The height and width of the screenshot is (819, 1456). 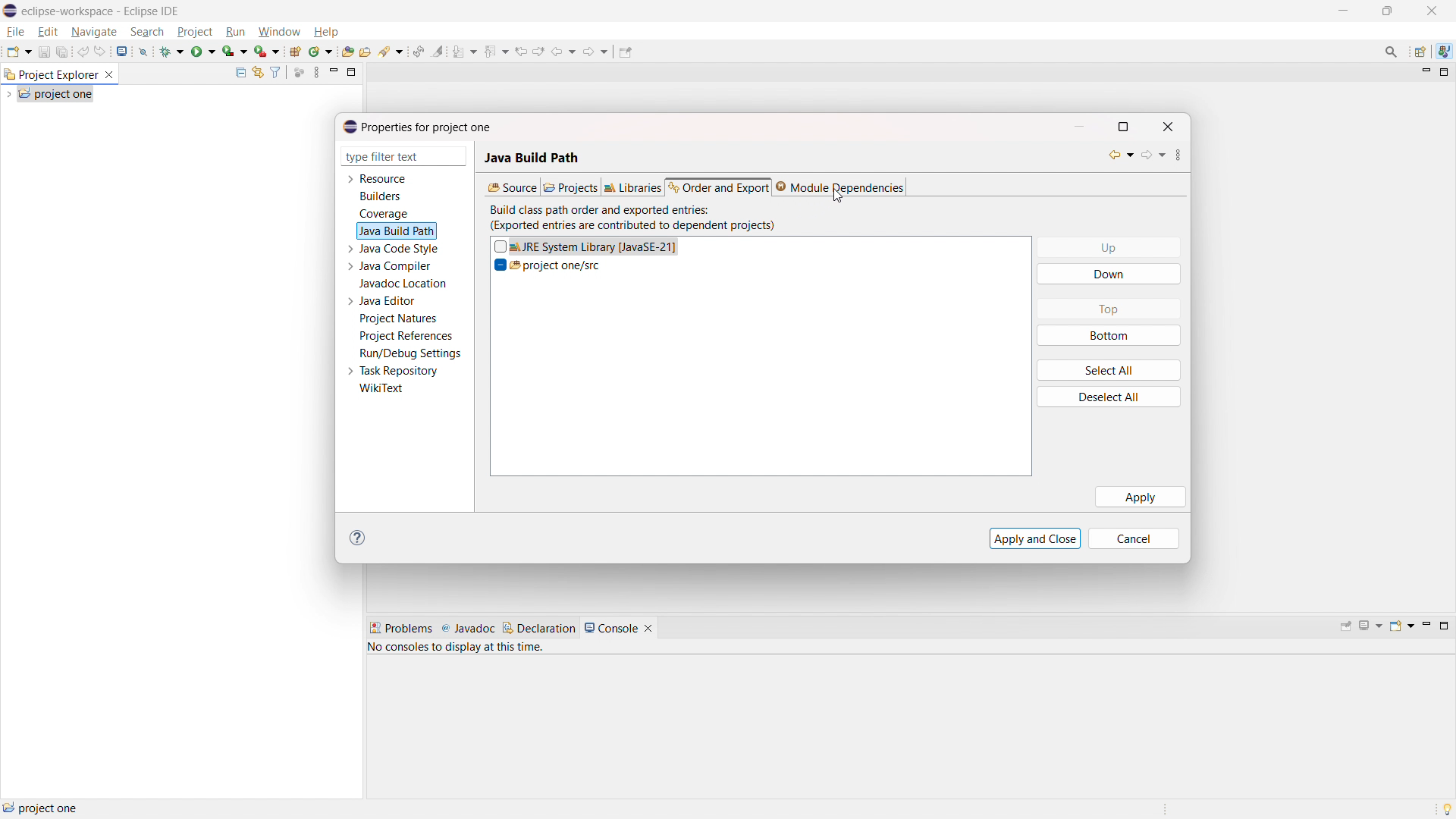 I want to click on open task, so click(x=366, y=51).